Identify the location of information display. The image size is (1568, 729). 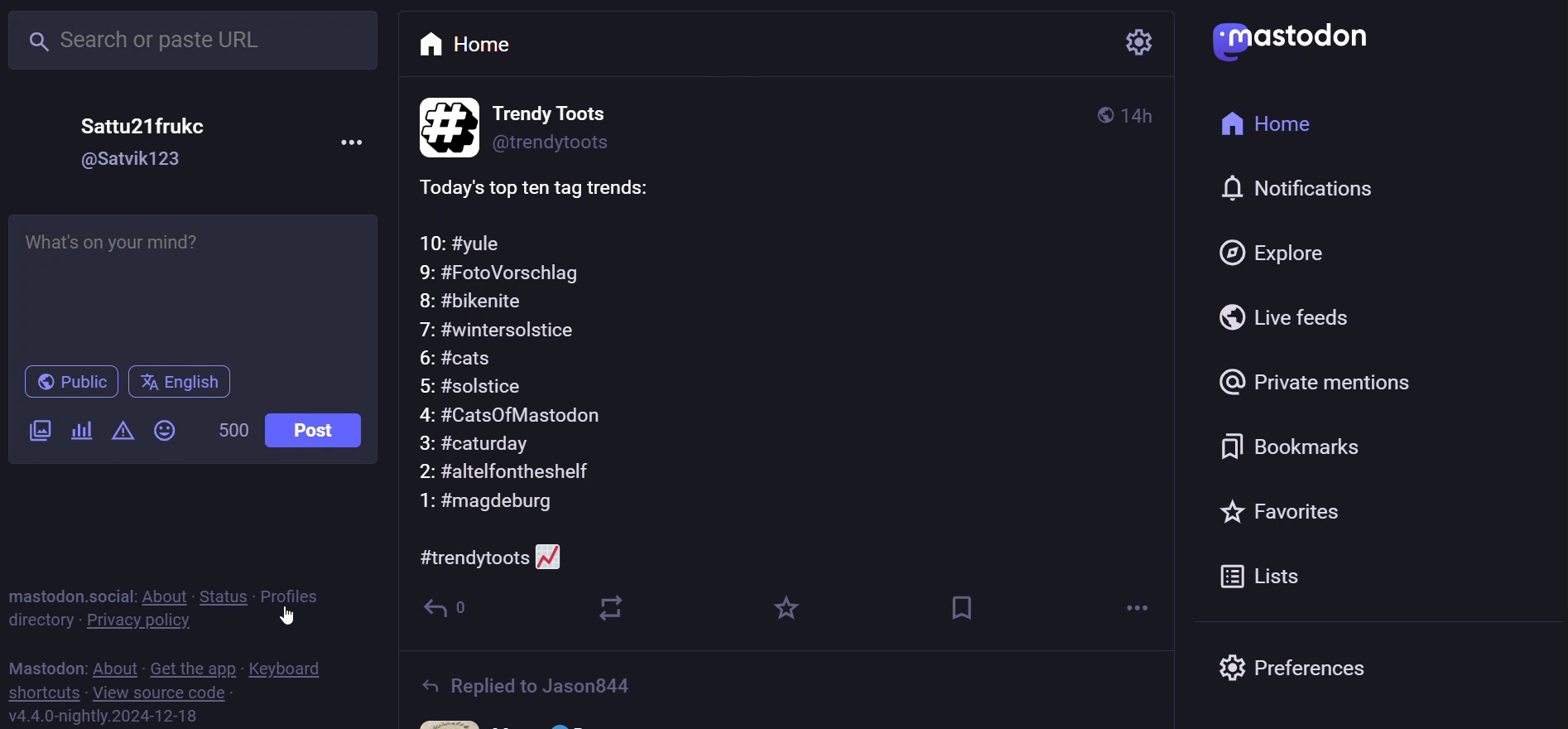
(444, 126).